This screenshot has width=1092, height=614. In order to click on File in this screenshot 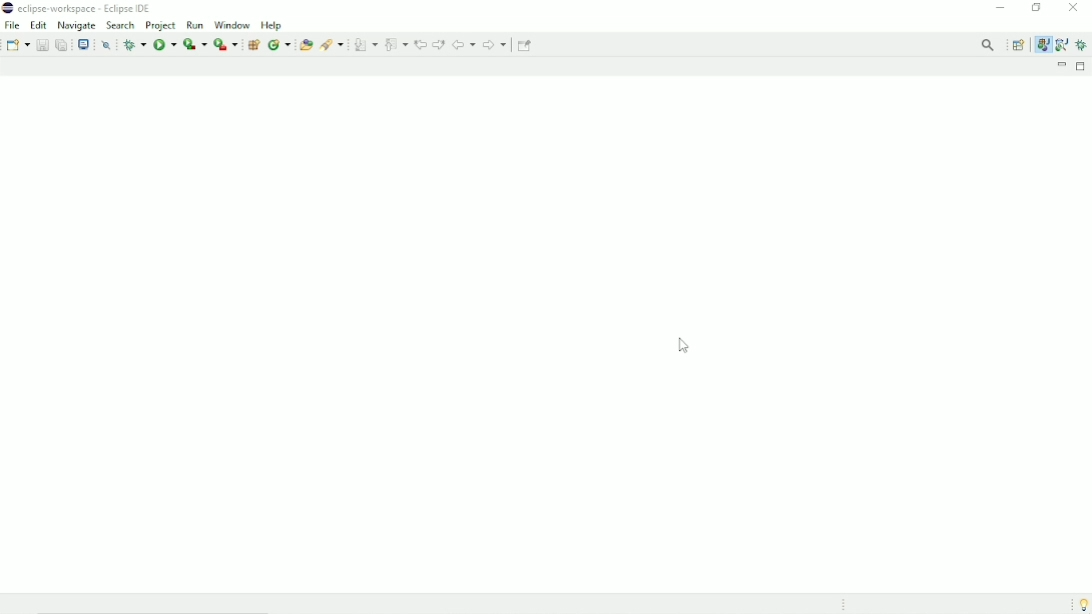, I will do `click(12, 25)`.